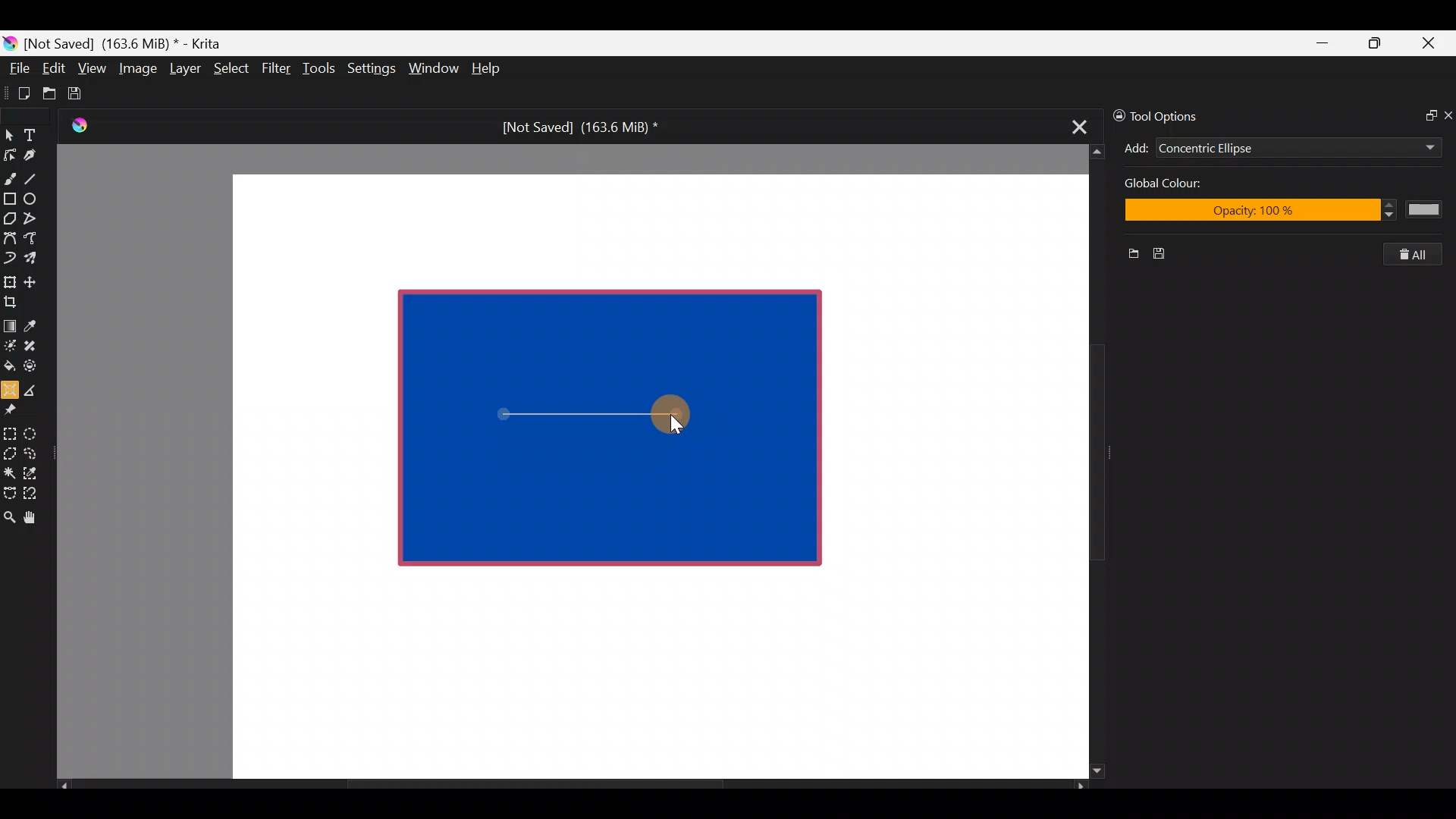 Image resolution: width=1456 pixels, height=819 pixels. I want to click on Draw a gradient, so click(9, 322).